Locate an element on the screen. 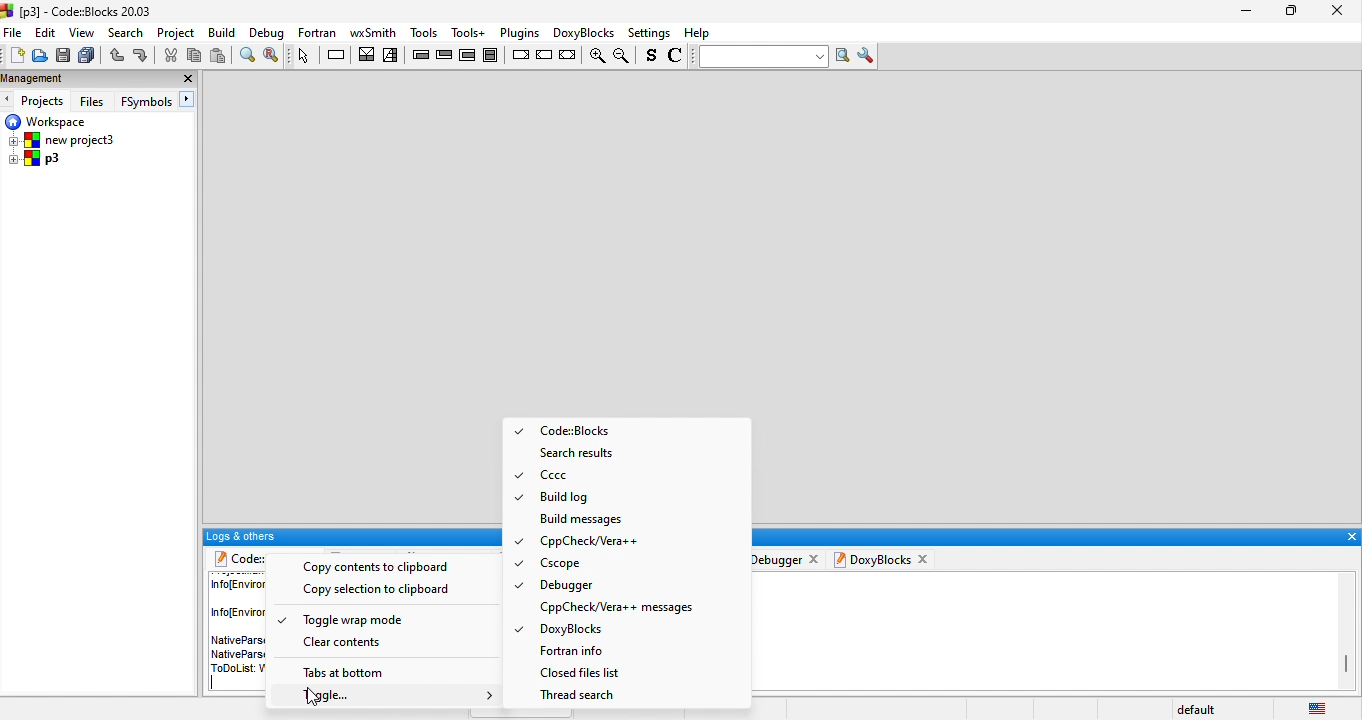 The height and width of the screenshot is (720, 1362). default is located at coordinates (1201, 710).